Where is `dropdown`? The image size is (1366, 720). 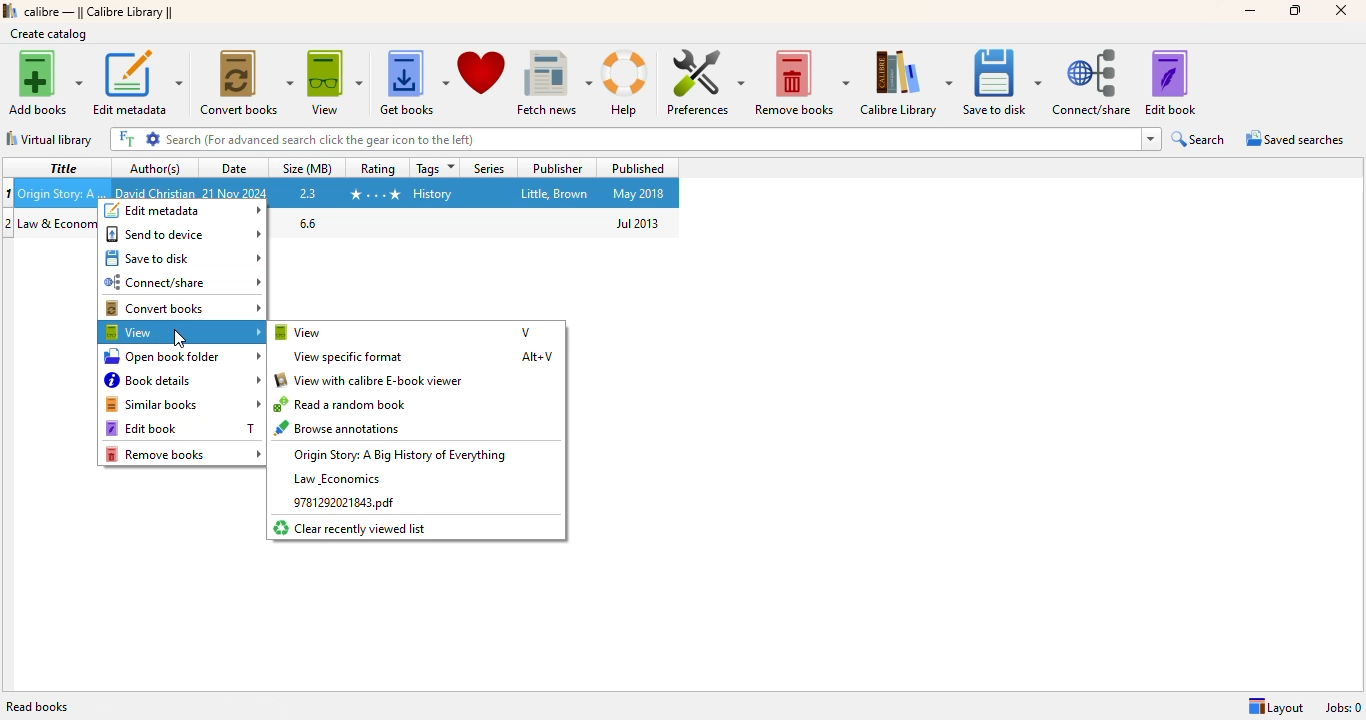
dropdown is located at coordinates (1151, 139).